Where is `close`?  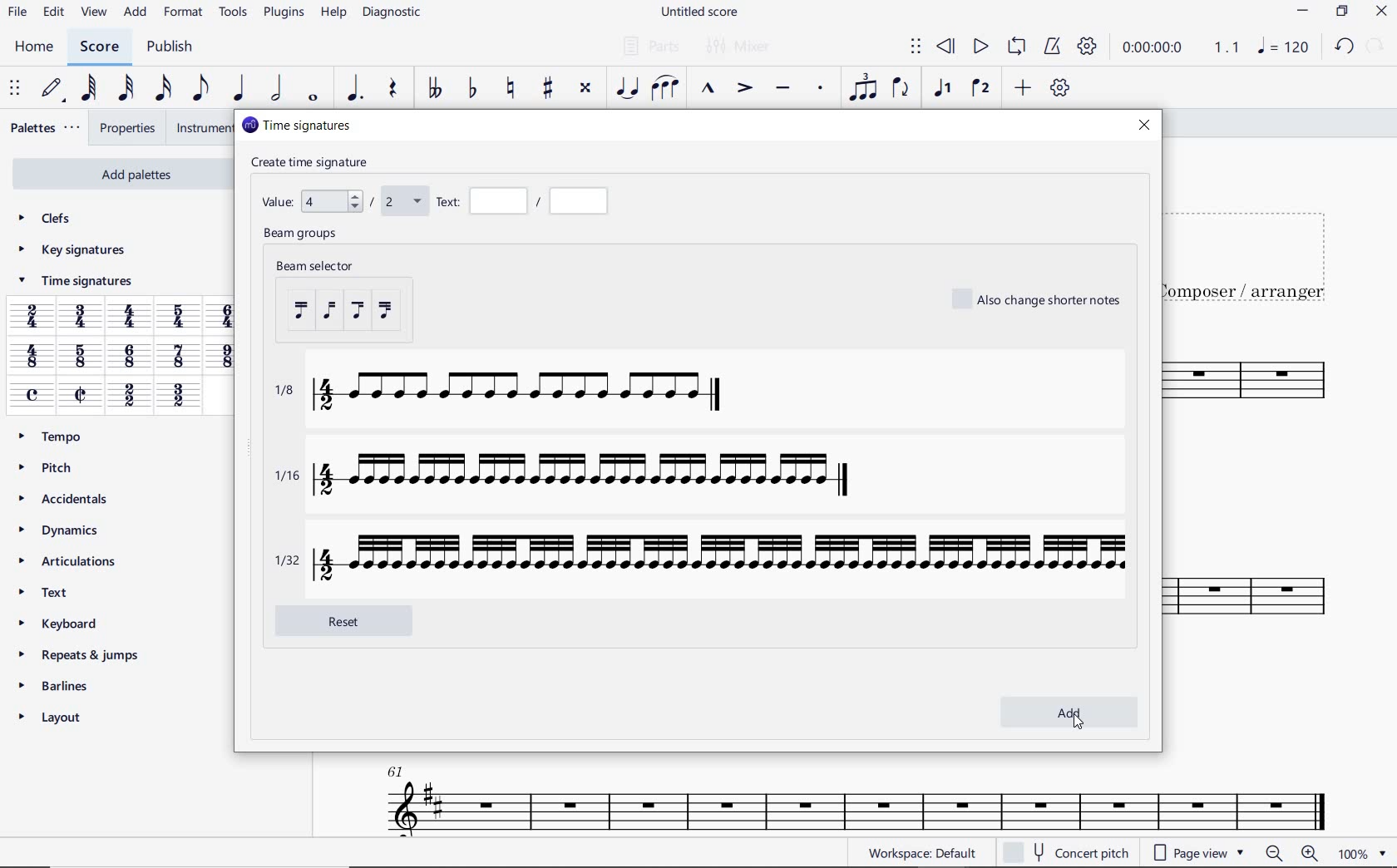
close is located at coordinates (1146, 128).